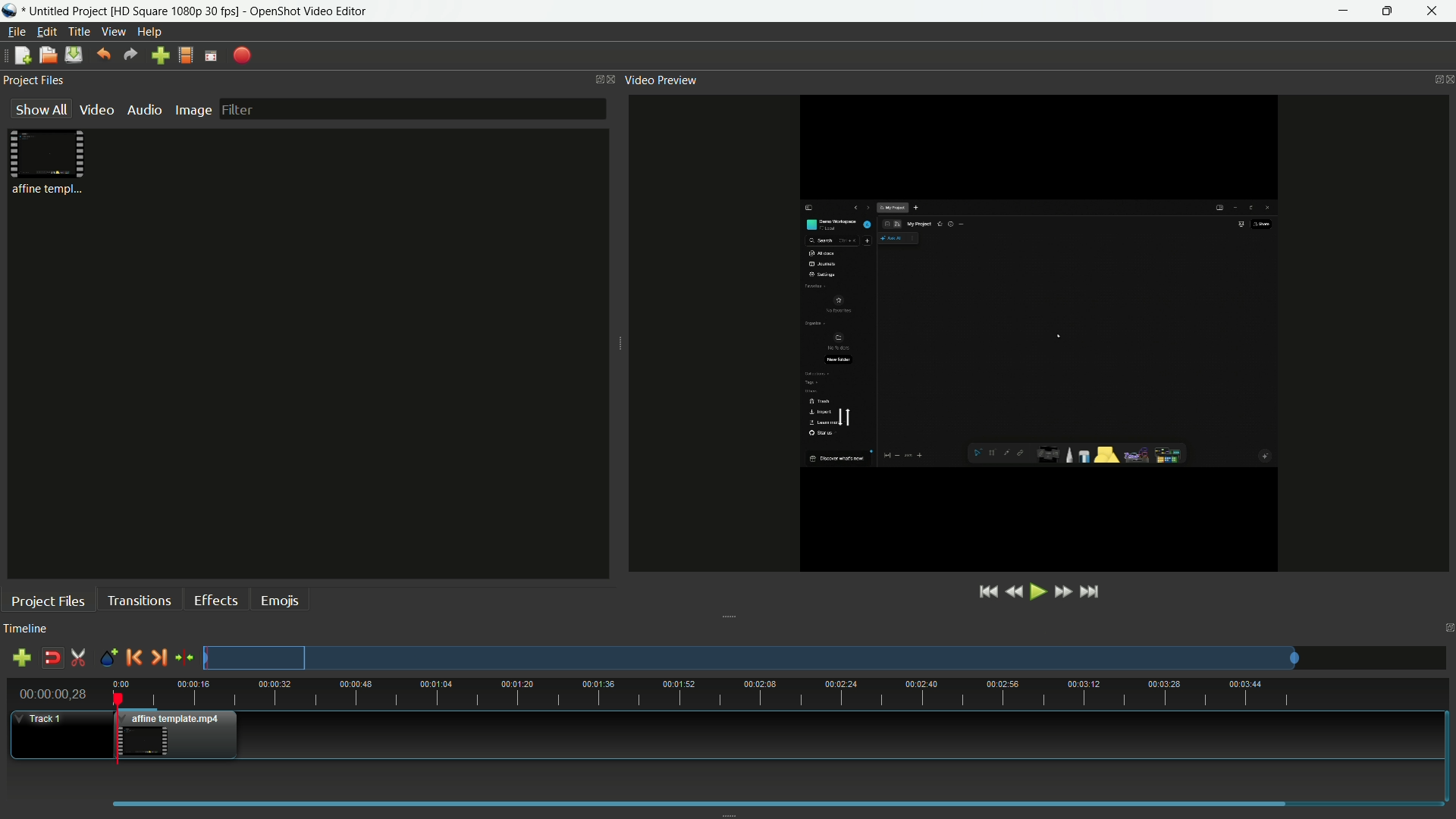  What do you see at coordinates (96, 110) in the screenshot?
I see `video` at bounding box center [96, 110].